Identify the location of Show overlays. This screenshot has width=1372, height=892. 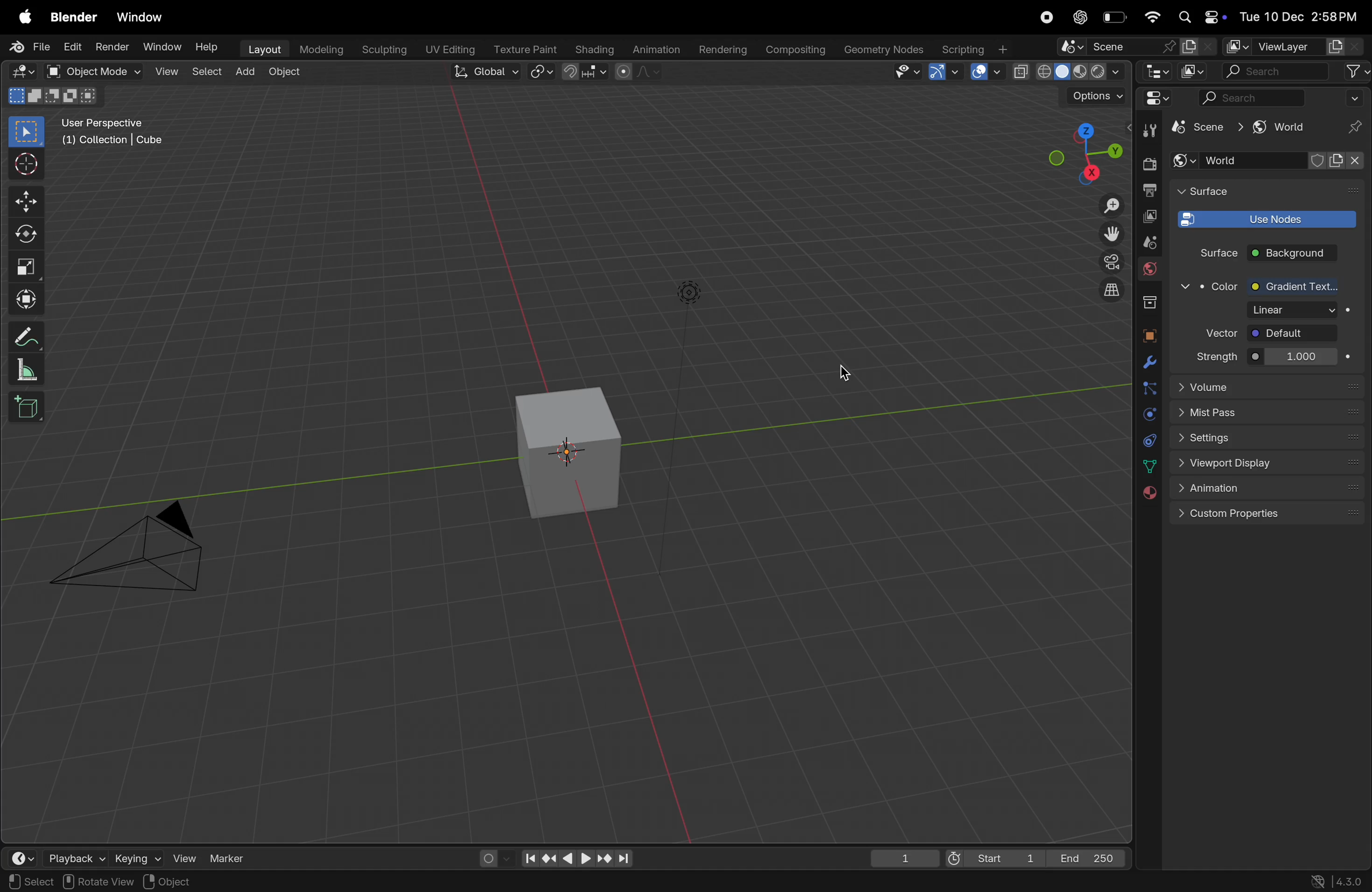
(984, 73).